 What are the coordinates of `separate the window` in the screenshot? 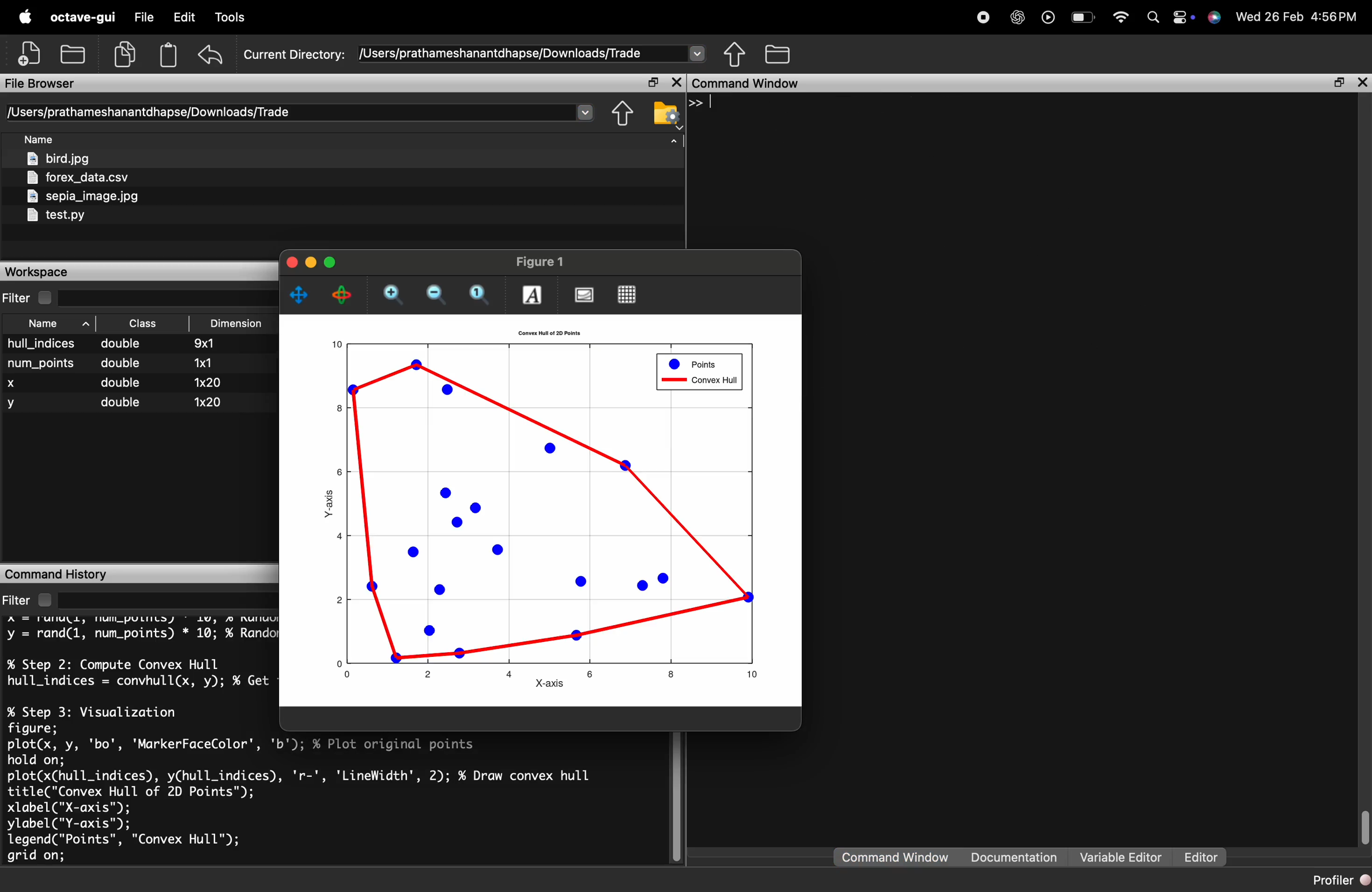 It's located at (652, 82).